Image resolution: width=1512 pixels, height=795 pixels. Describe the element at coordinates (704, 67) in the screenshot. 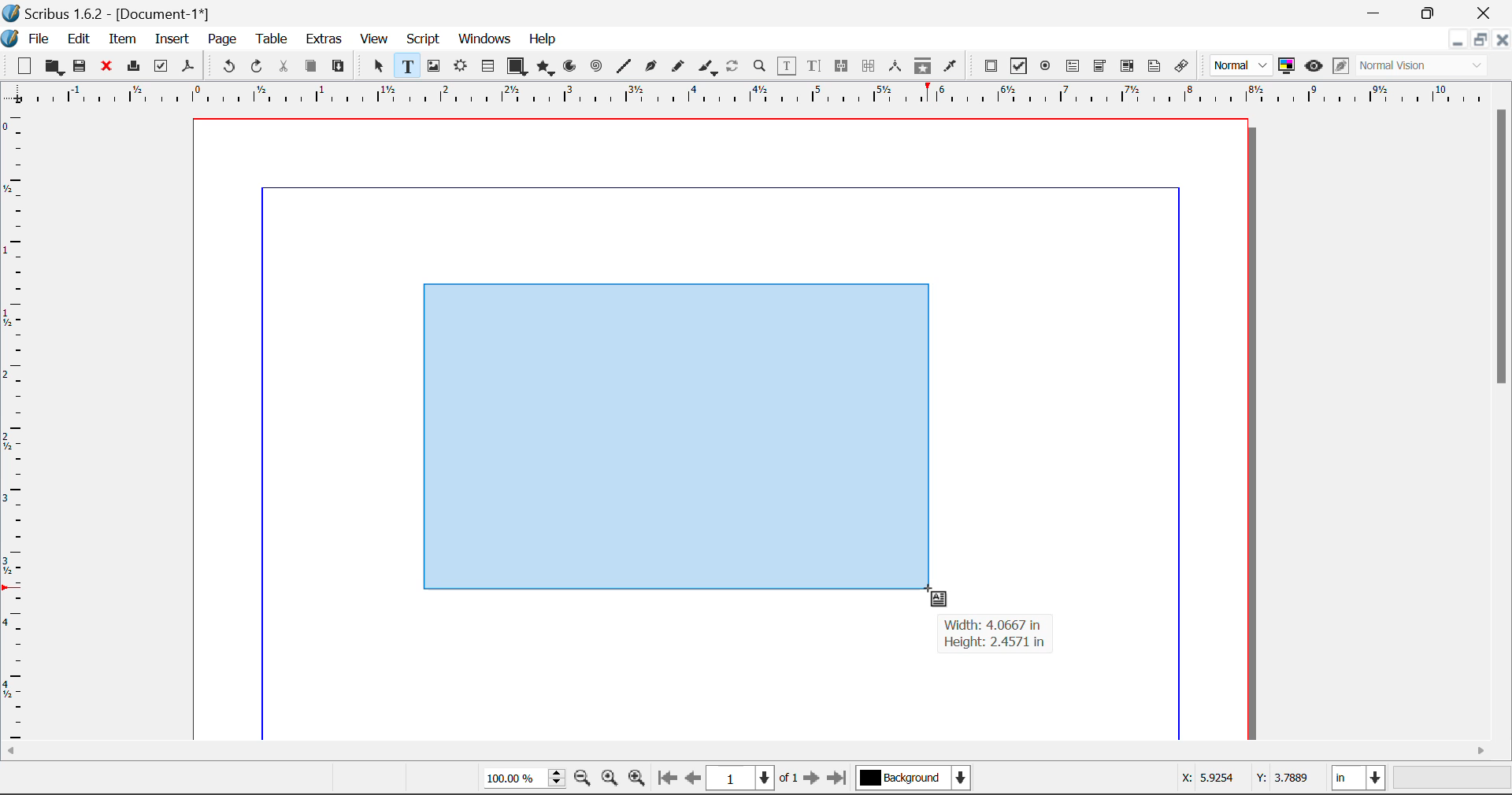

I see `Calligraphic Line` at that location.